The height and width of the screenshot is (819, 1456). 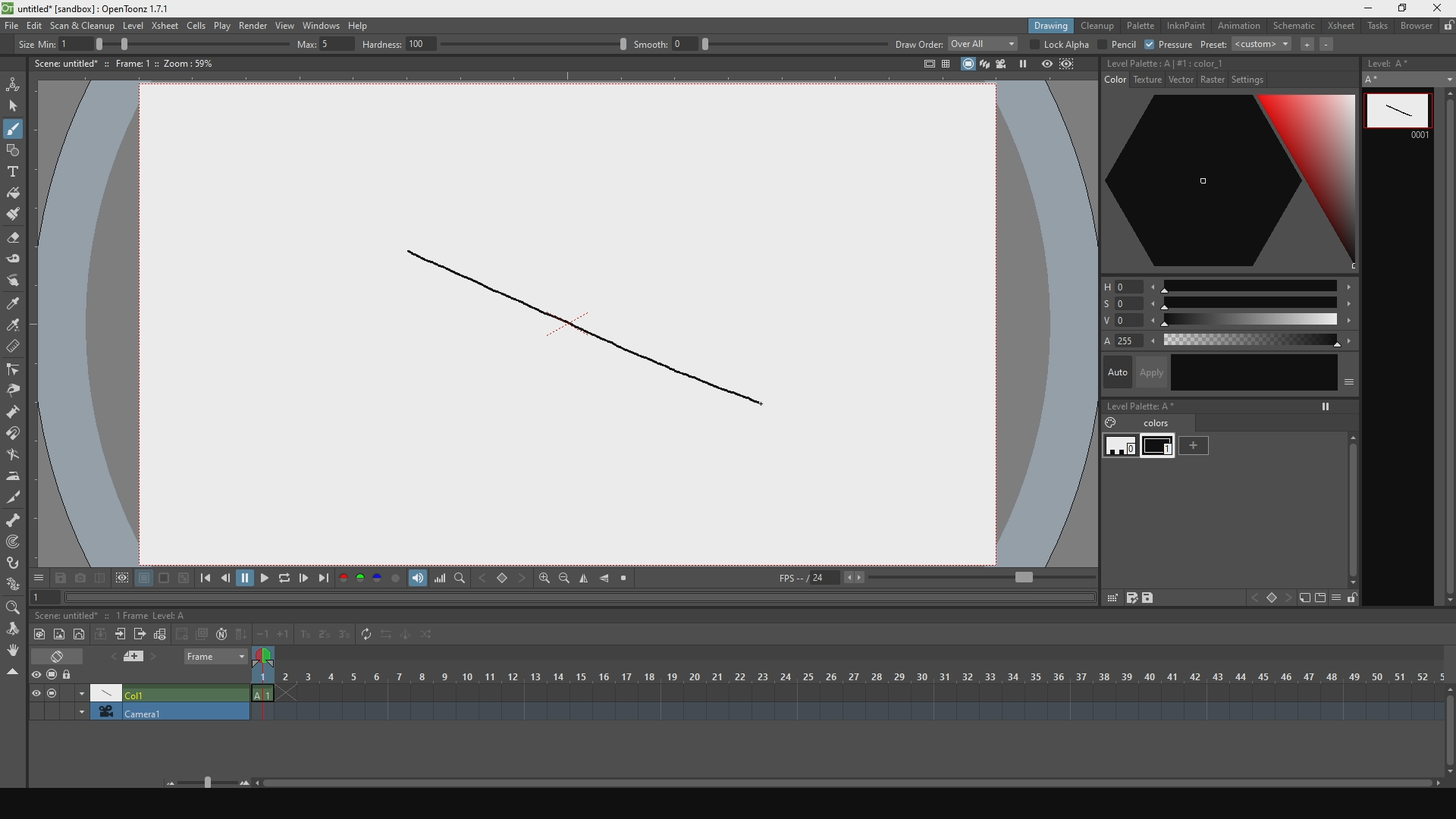 What do you see at coordinates (1024, 65) in the screenshot?
I see `pause` at bounding box center [1024, 65].